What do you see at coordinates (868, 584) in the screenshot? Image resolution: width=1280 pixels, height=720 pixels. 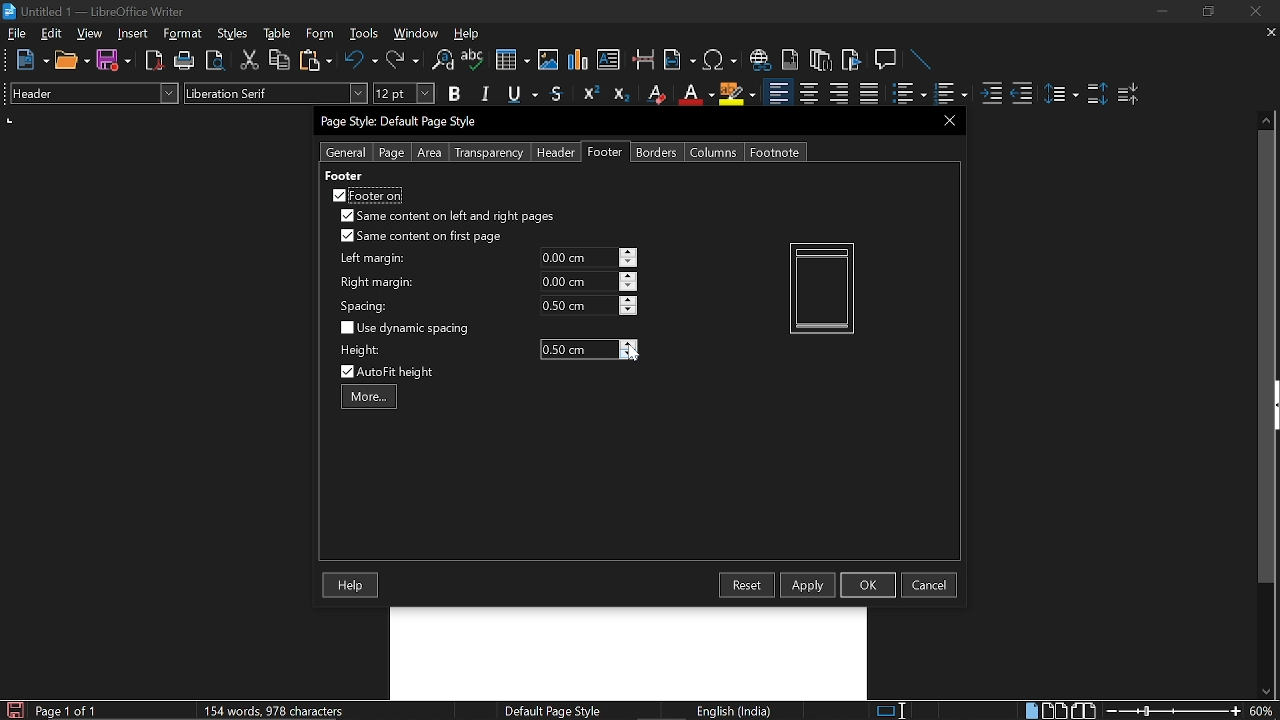 I see `Ok` at bounding box center [868, 584].